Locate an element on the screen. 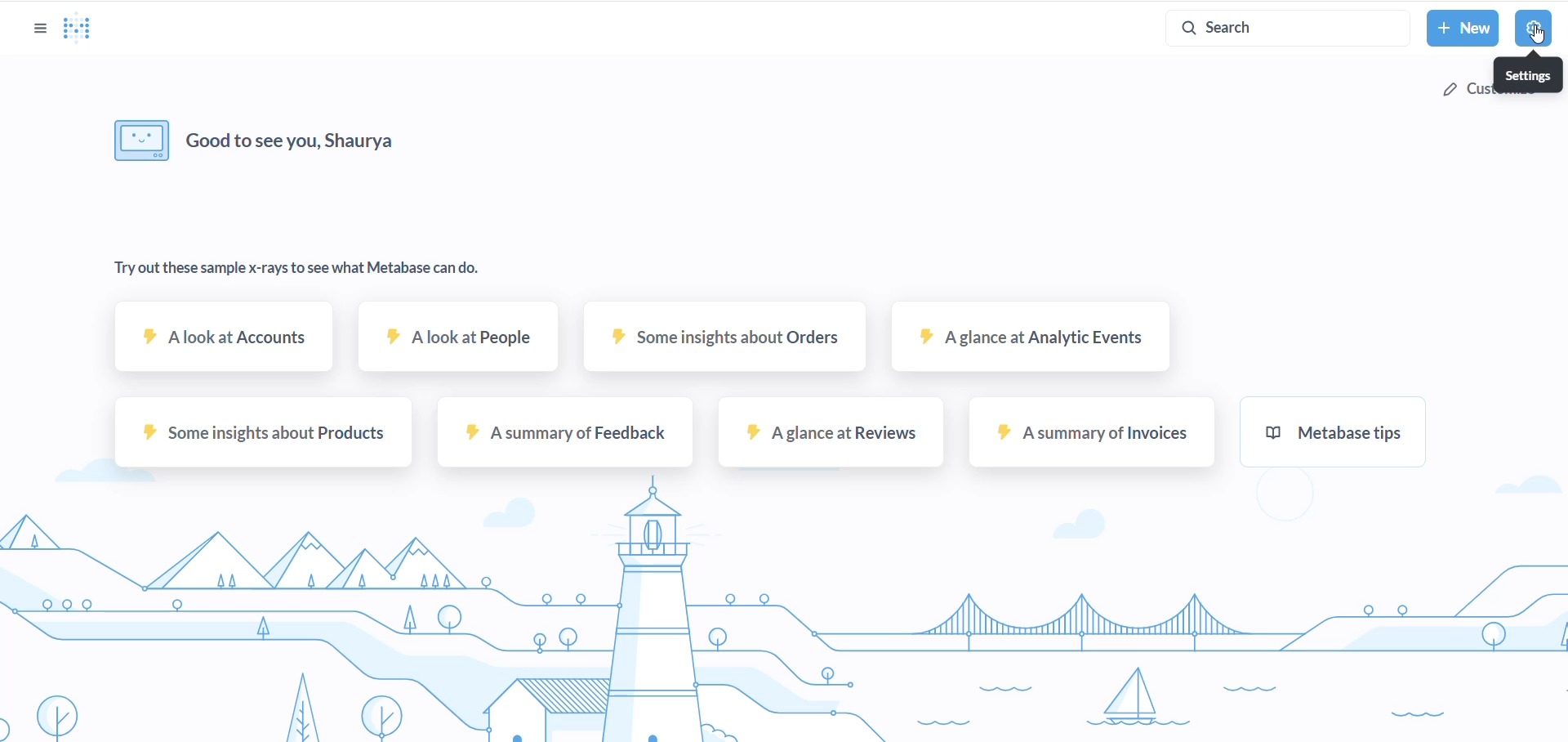 Image resolution: width=1568 pixels, height=742 pixels. A glance at analytic eventss is located at coordinates (1027, 345).